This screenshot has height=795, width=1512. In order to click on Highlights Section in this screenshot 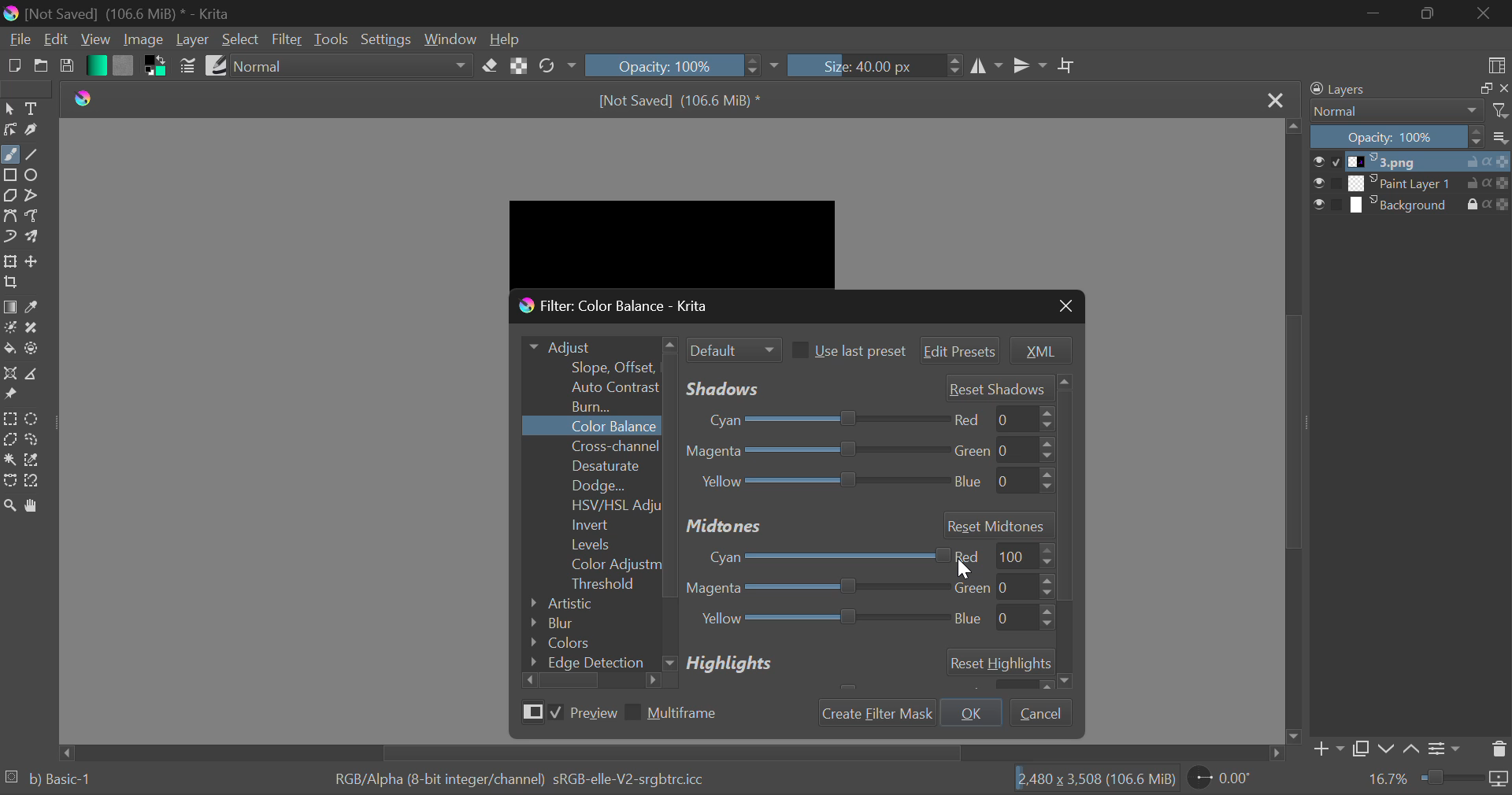, I will do `click(864, 666)`.